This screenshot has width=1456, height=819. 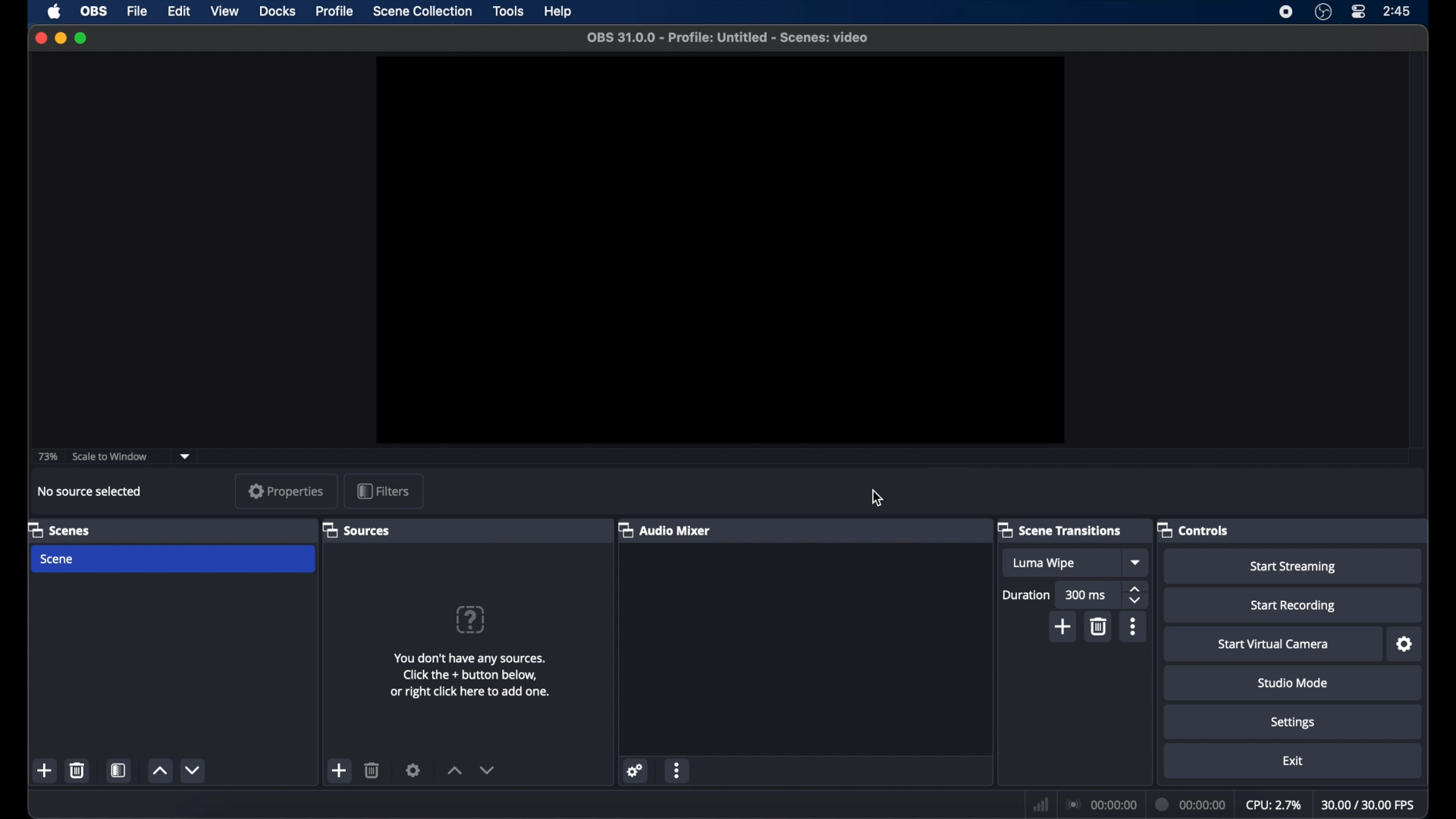 What do you see at coordinates (137, 12) in the screenshot?
I see `file` at bounding box center [137, 12].